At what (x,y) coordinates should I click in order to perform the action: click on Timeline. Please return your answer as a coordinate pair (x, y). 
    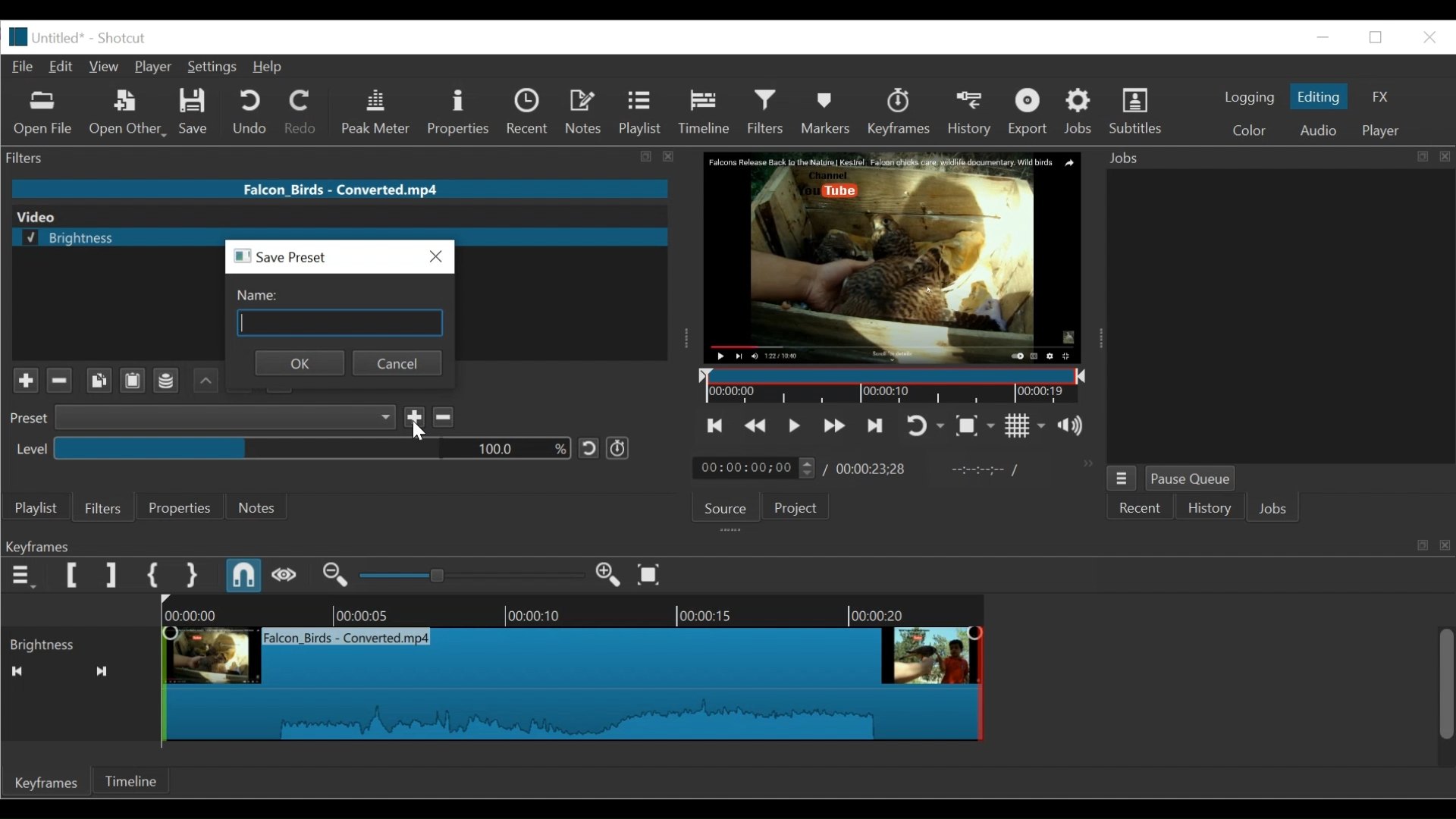
    Looking at the image, I should click on (130, 780).